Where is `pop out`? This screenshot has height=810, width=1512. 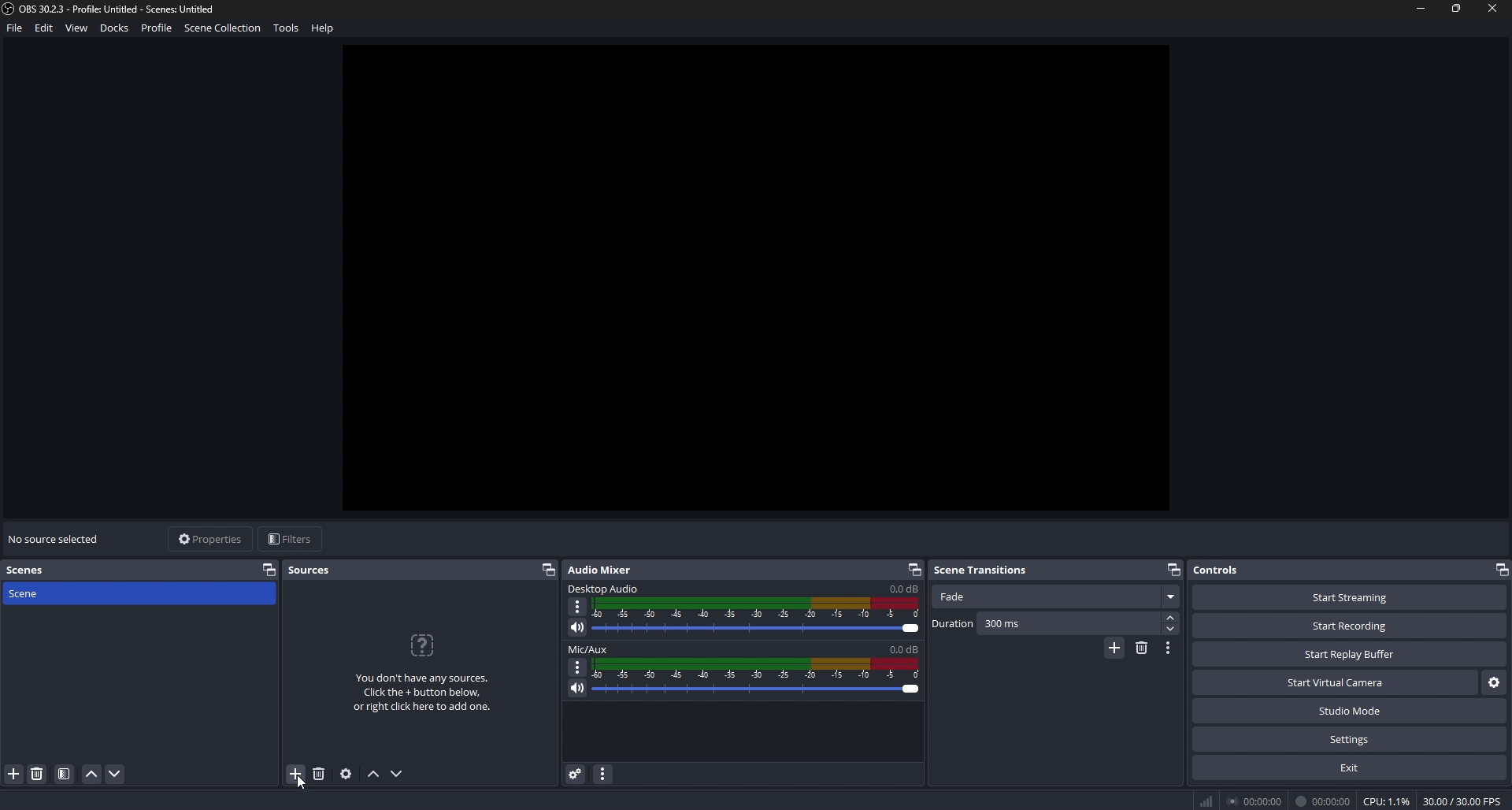 pop out is located at coordinates (1174, 568).